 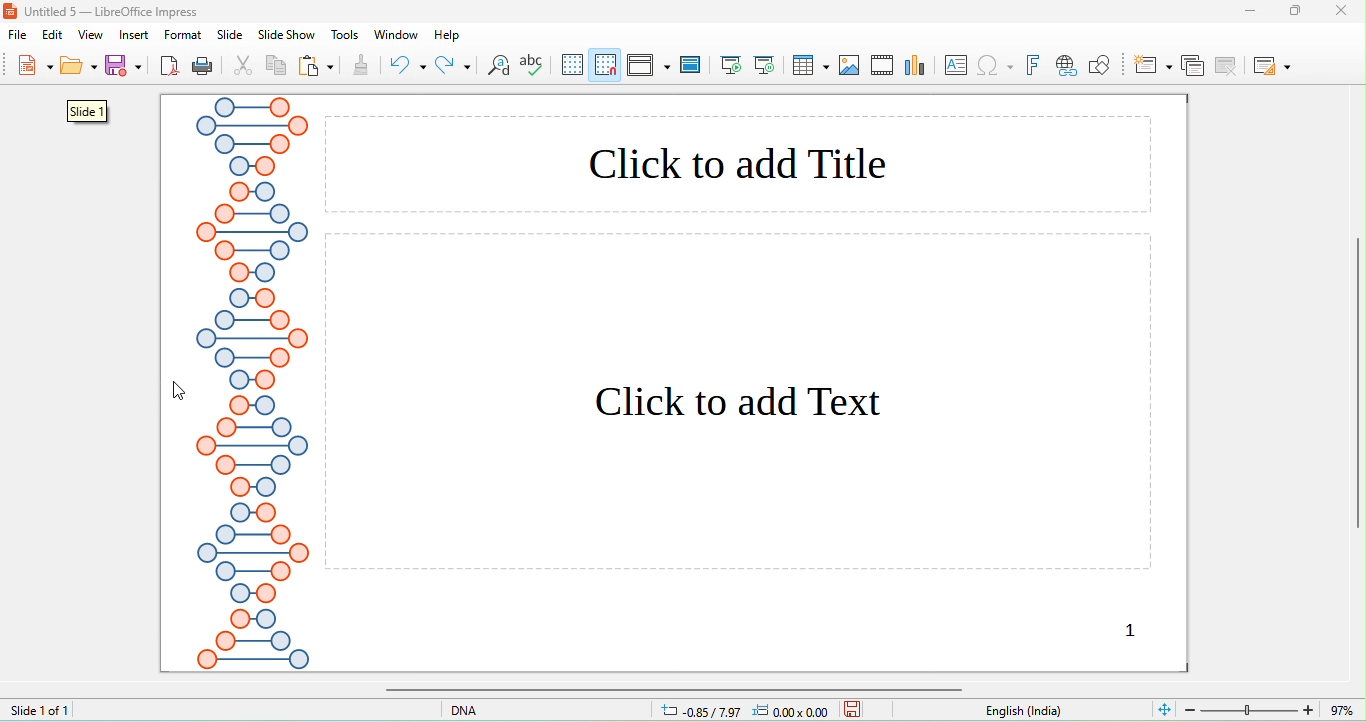 What do you see at coordinates (1347, 10) in the screenshot?
I see `close` at bounding box center [1347, 10].